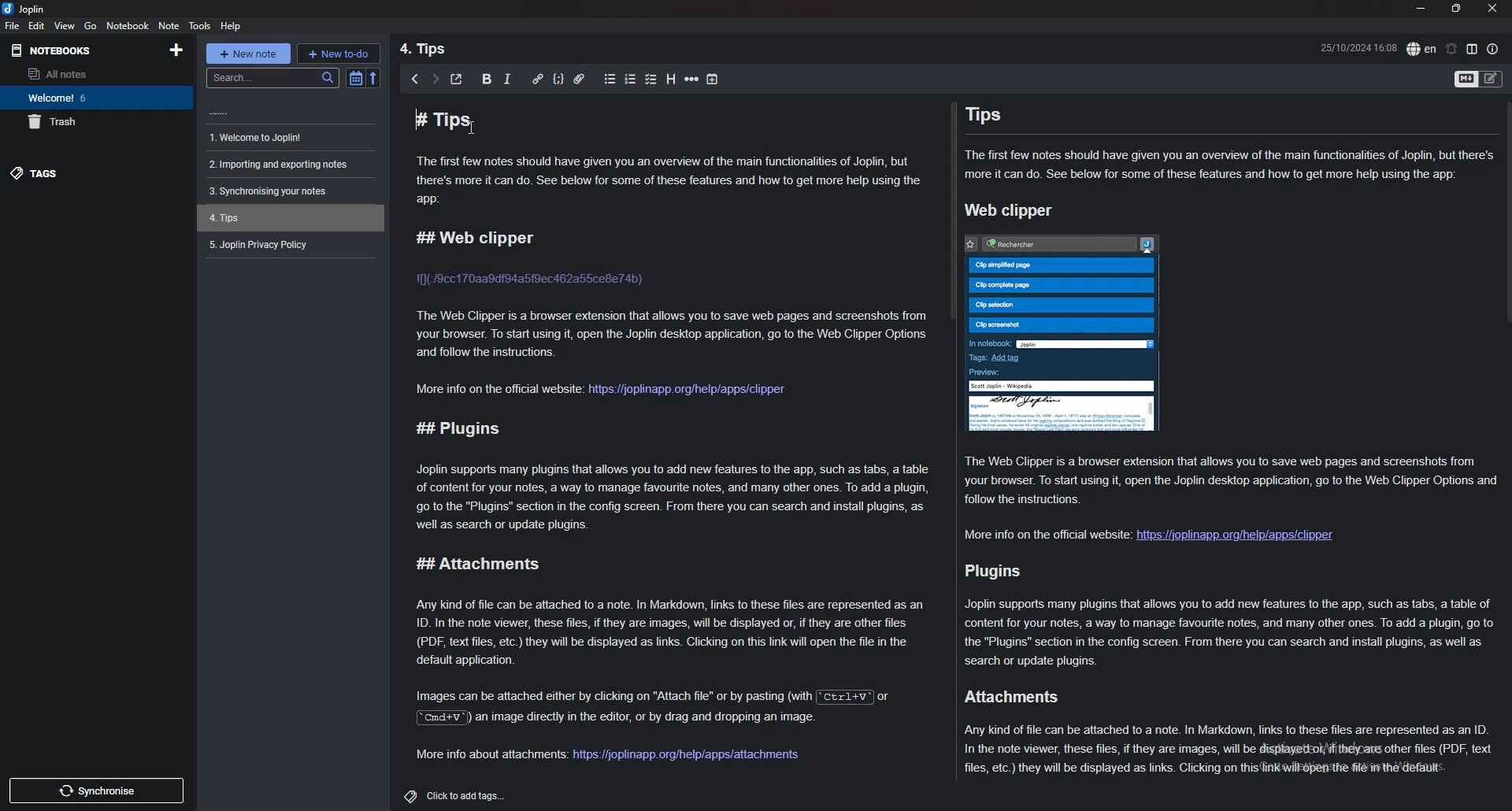 The height and width of the screenshot is (811, 1512). I want to click on note title, so click(653, 120).